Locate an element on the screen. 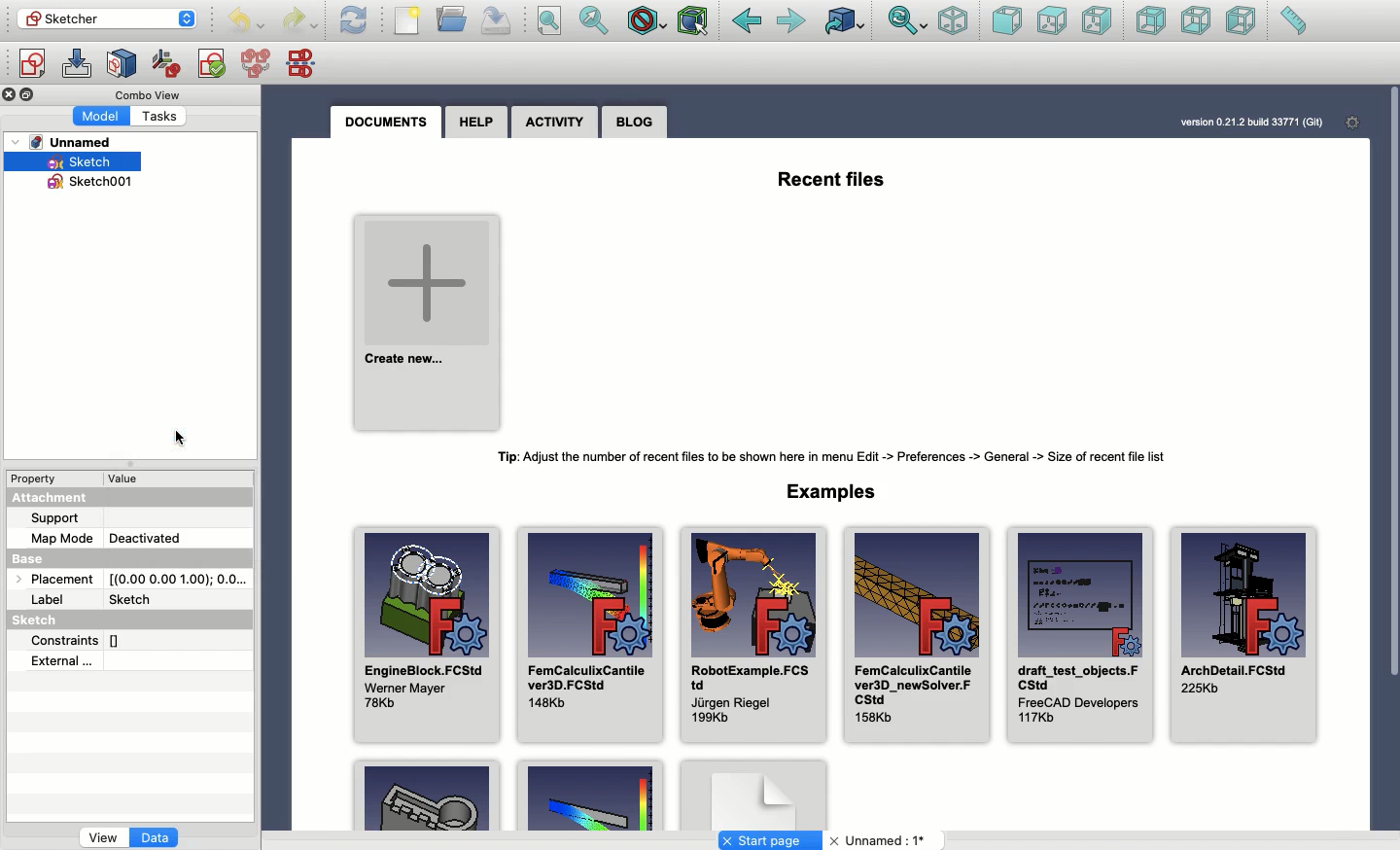 This screenshot has height=850, width=1400. Open is located at coordinates (453, 18).